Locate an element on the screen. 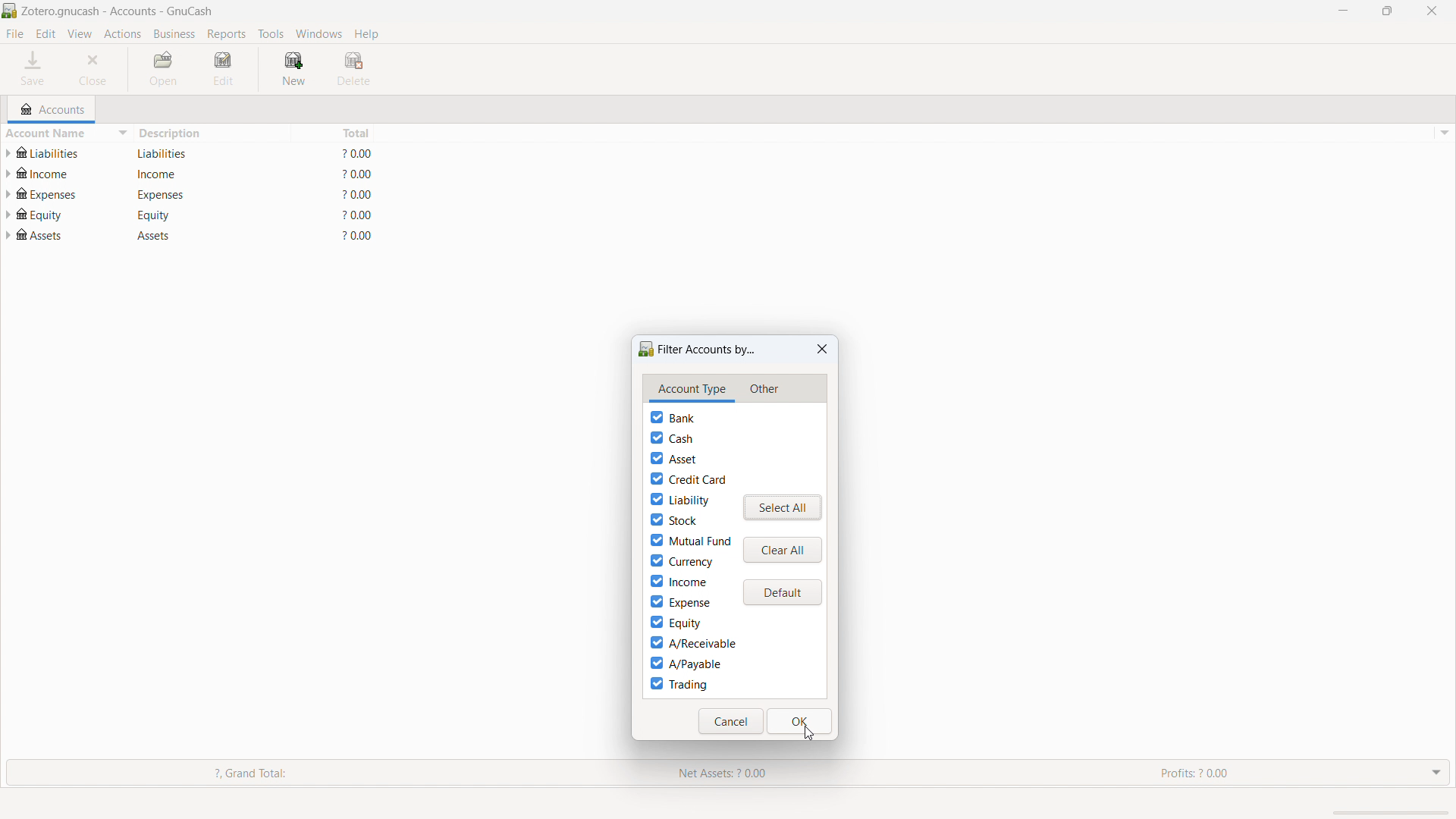  edit is located at coordinates (225, 68).